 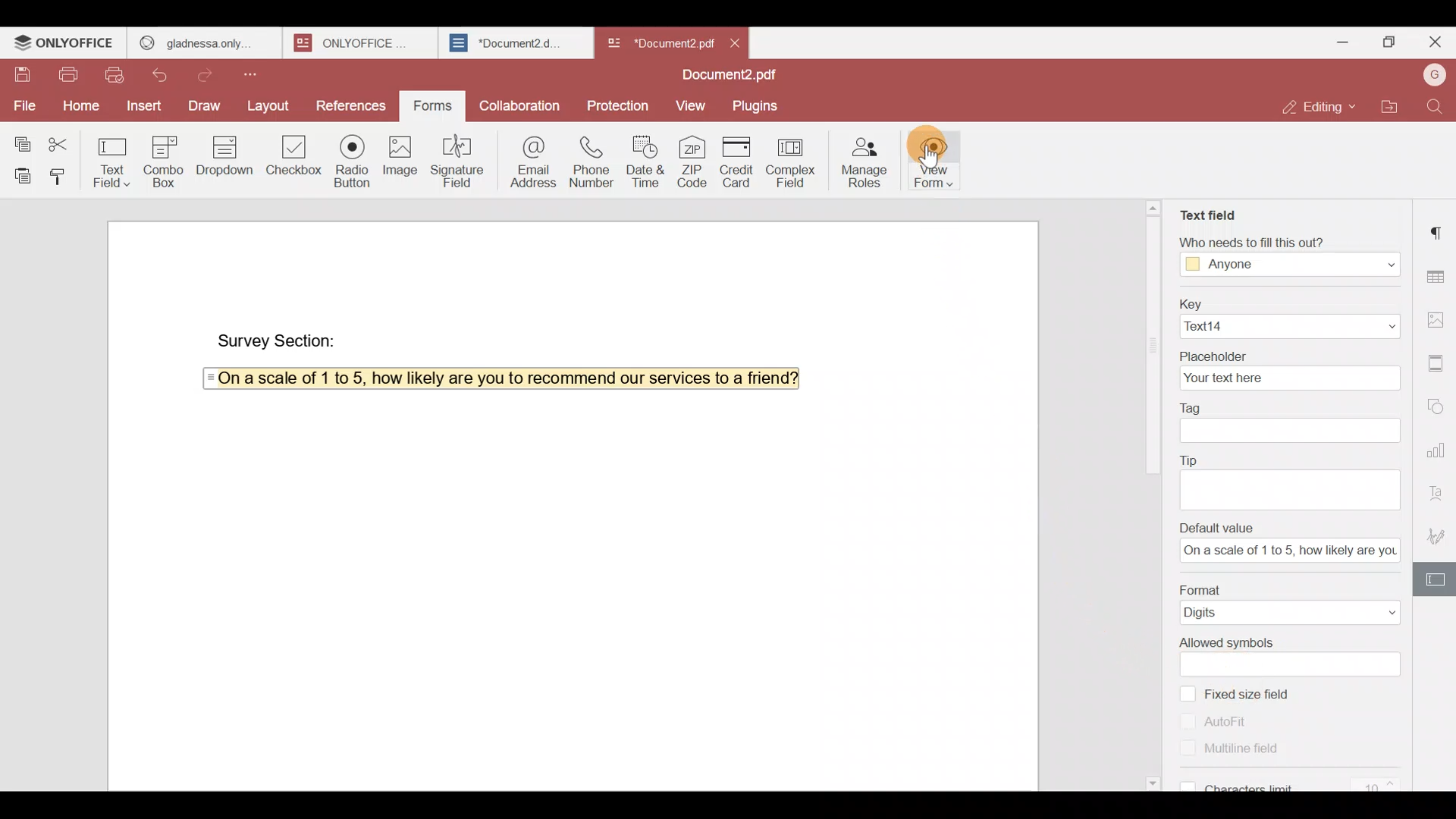 What do you see at coordinates (290, 159) in the screenshot?
I see `Checkbox` at bounding box center [290, 159].